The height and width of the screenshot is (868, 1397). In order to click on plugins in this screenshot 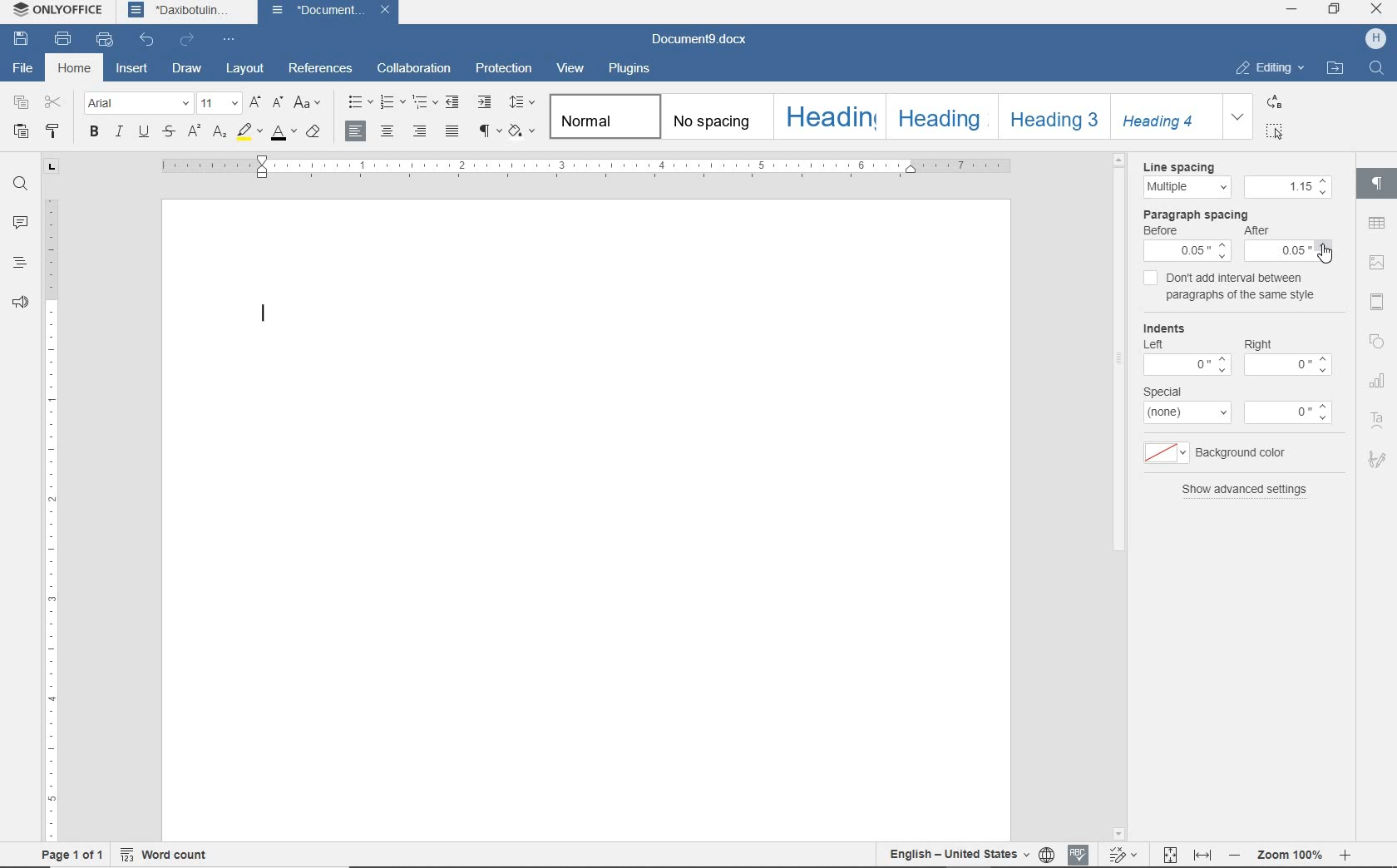, I will do `click(629, 69)`.